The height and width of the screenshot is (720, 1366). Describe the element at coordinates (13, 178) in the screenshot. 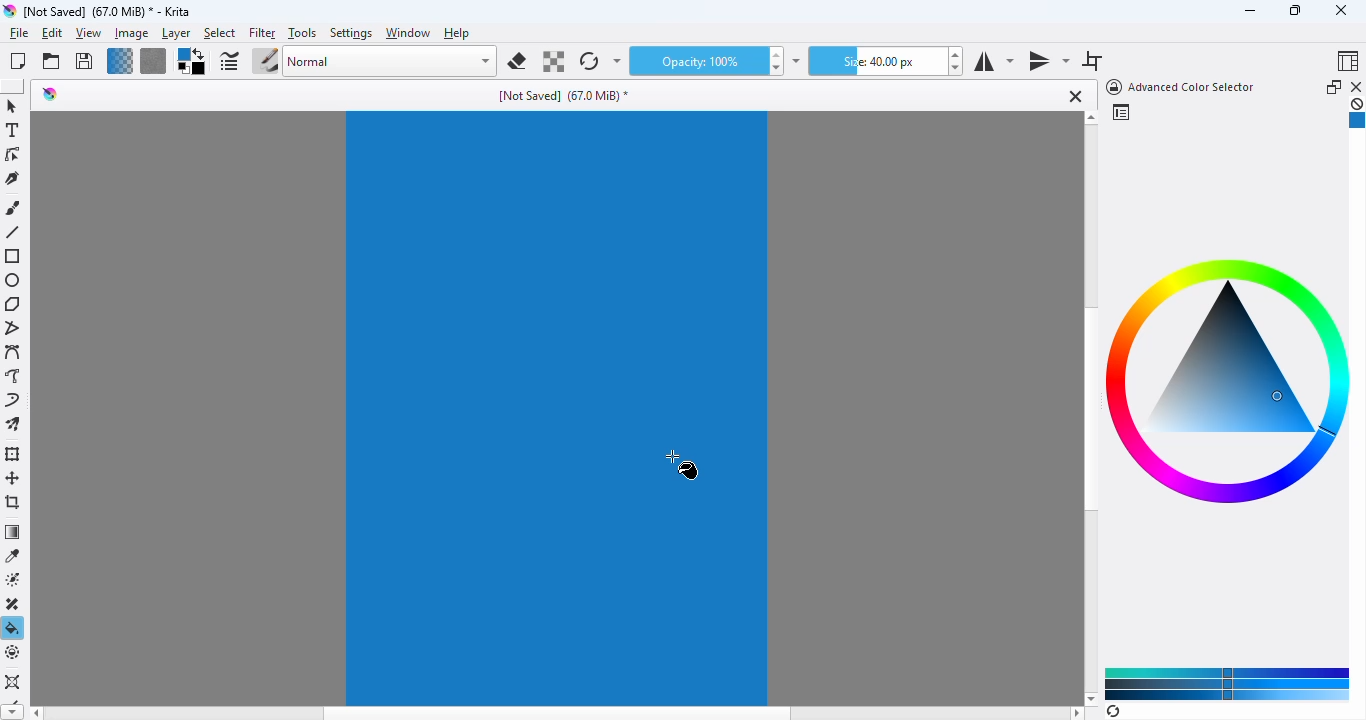

I see `calligraphy` at that location.